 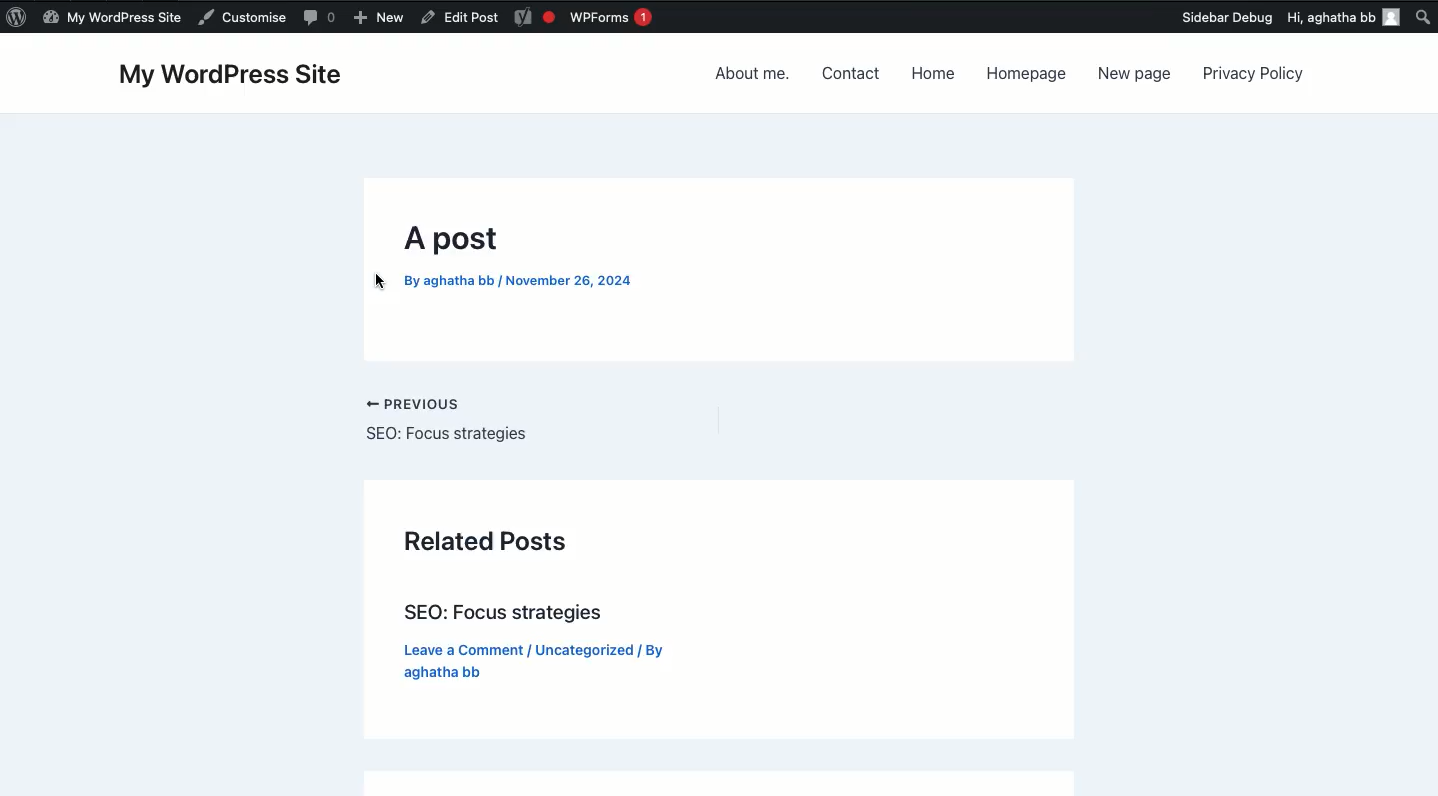 I want to click on Privacy policy, so click(x=1253, y=75).